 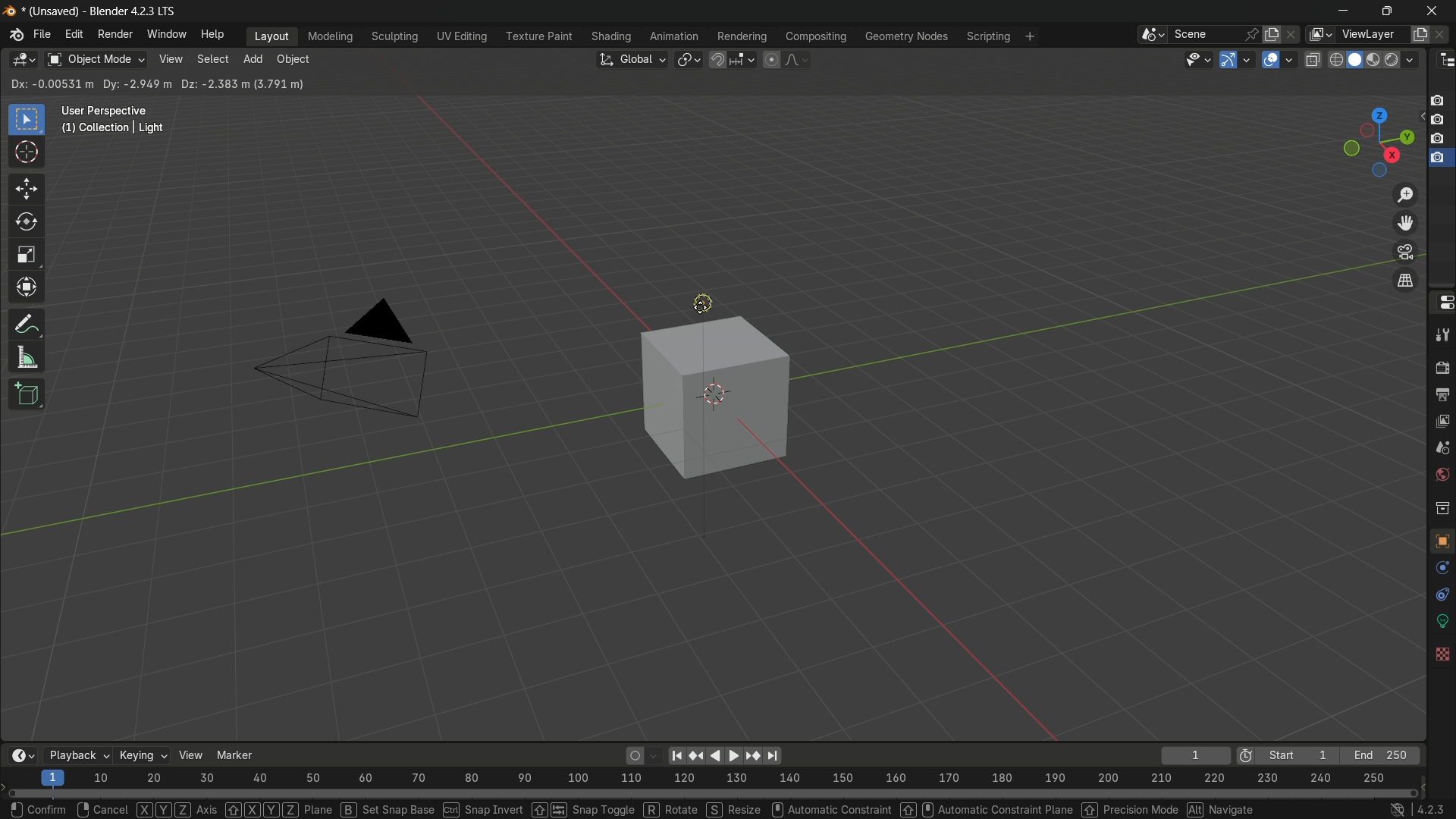 I want to click on capture, so click(x=1439, y=123).